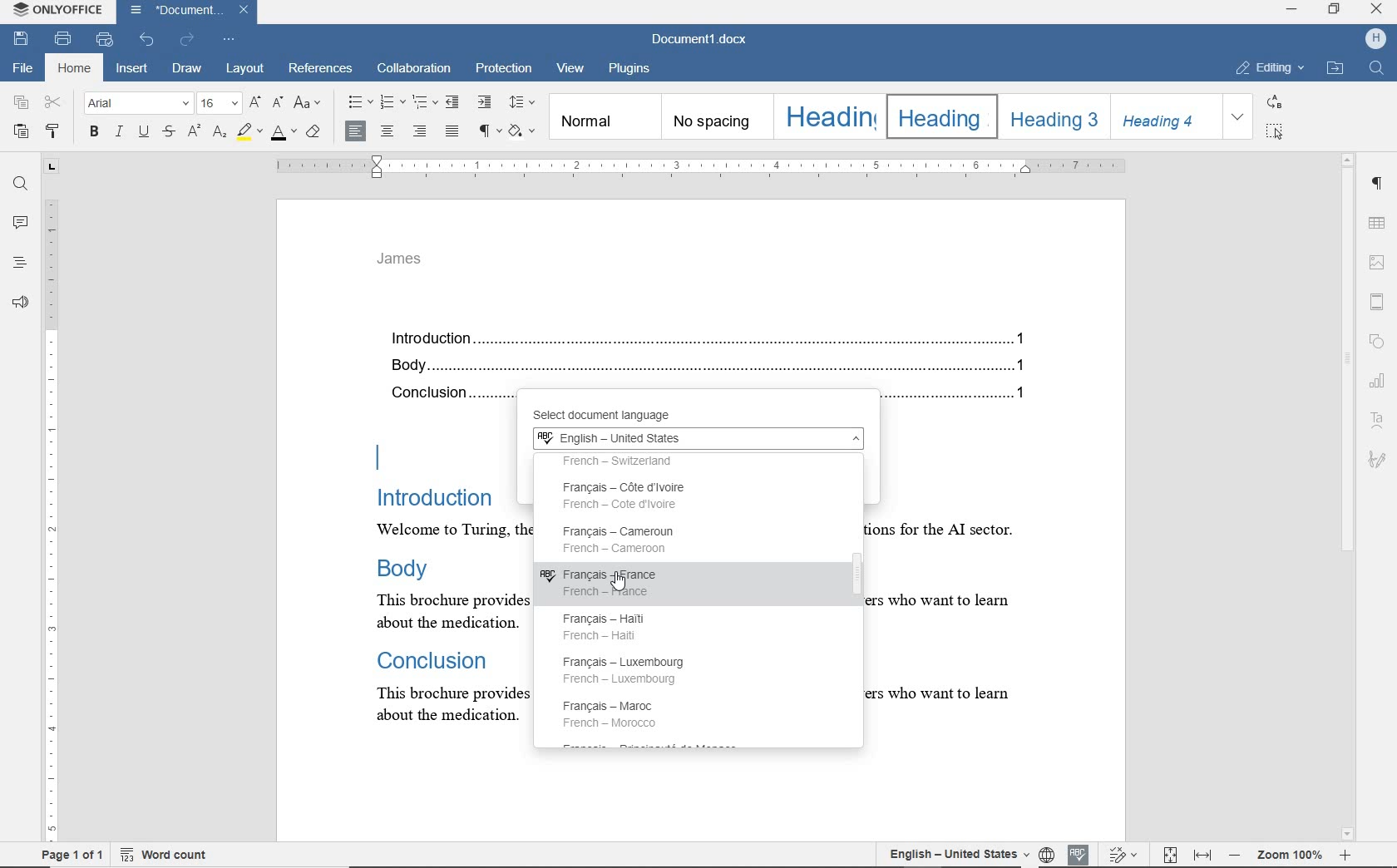 The image size is (1397, 868). I want to click on align left, so click(356, 131).